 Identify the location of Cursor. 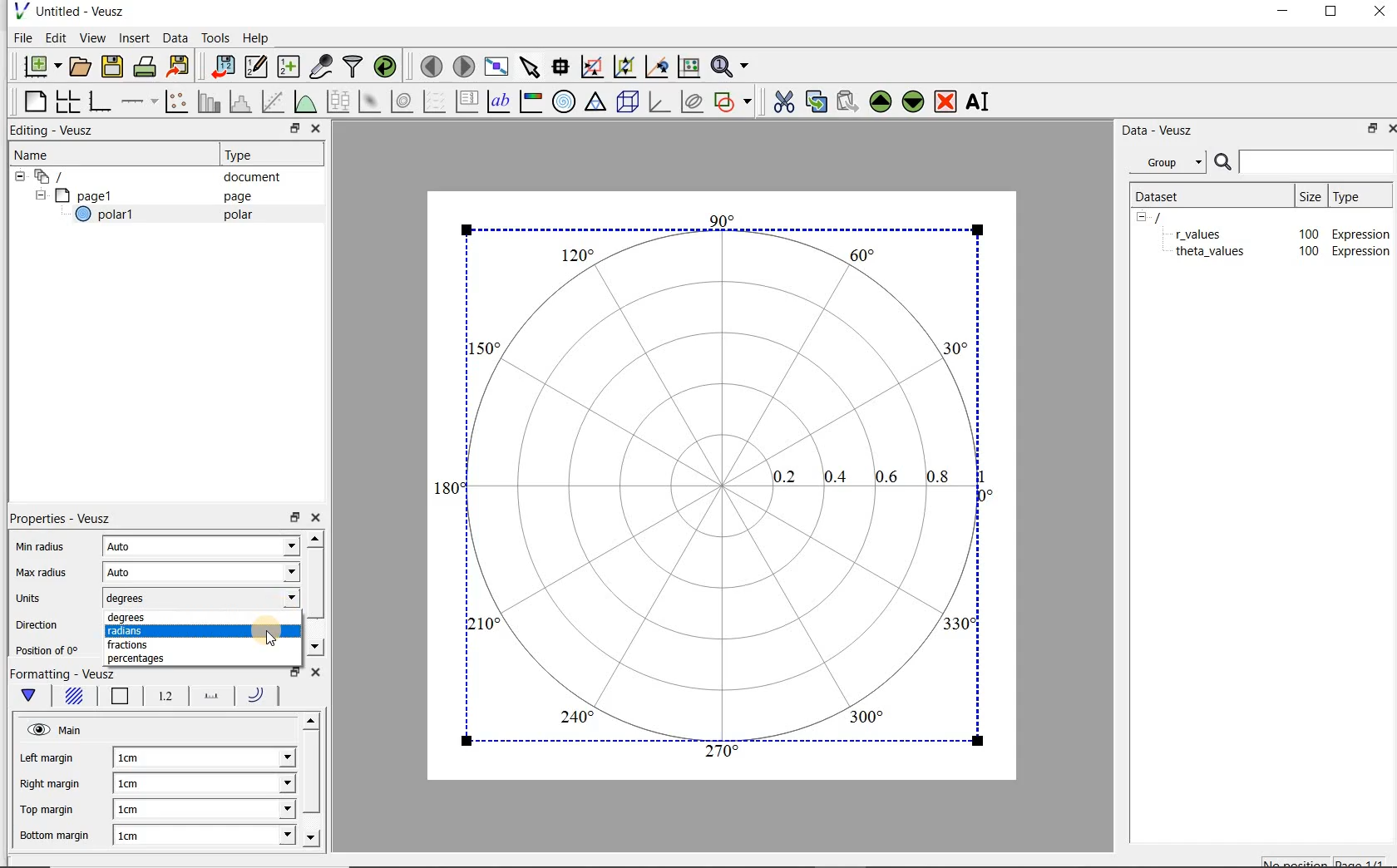
(272, 631).